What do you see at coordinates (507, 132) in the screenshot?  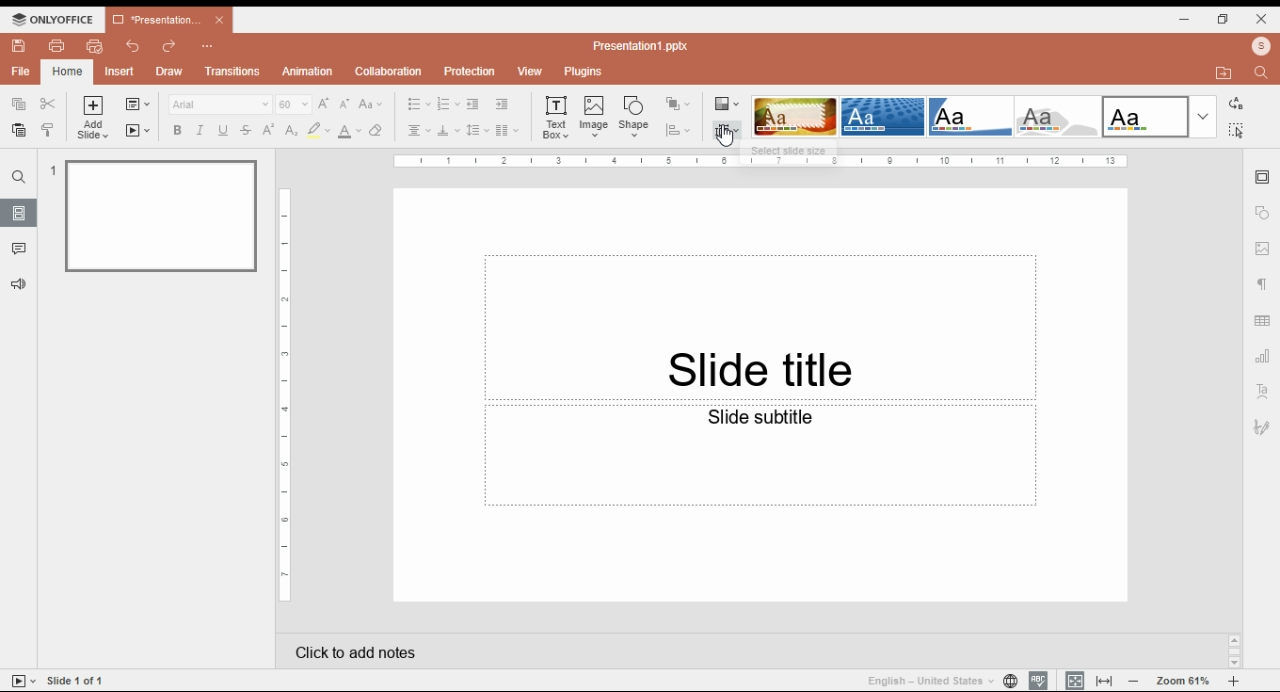 I see `insert columns` at bounding box center [507, 132].